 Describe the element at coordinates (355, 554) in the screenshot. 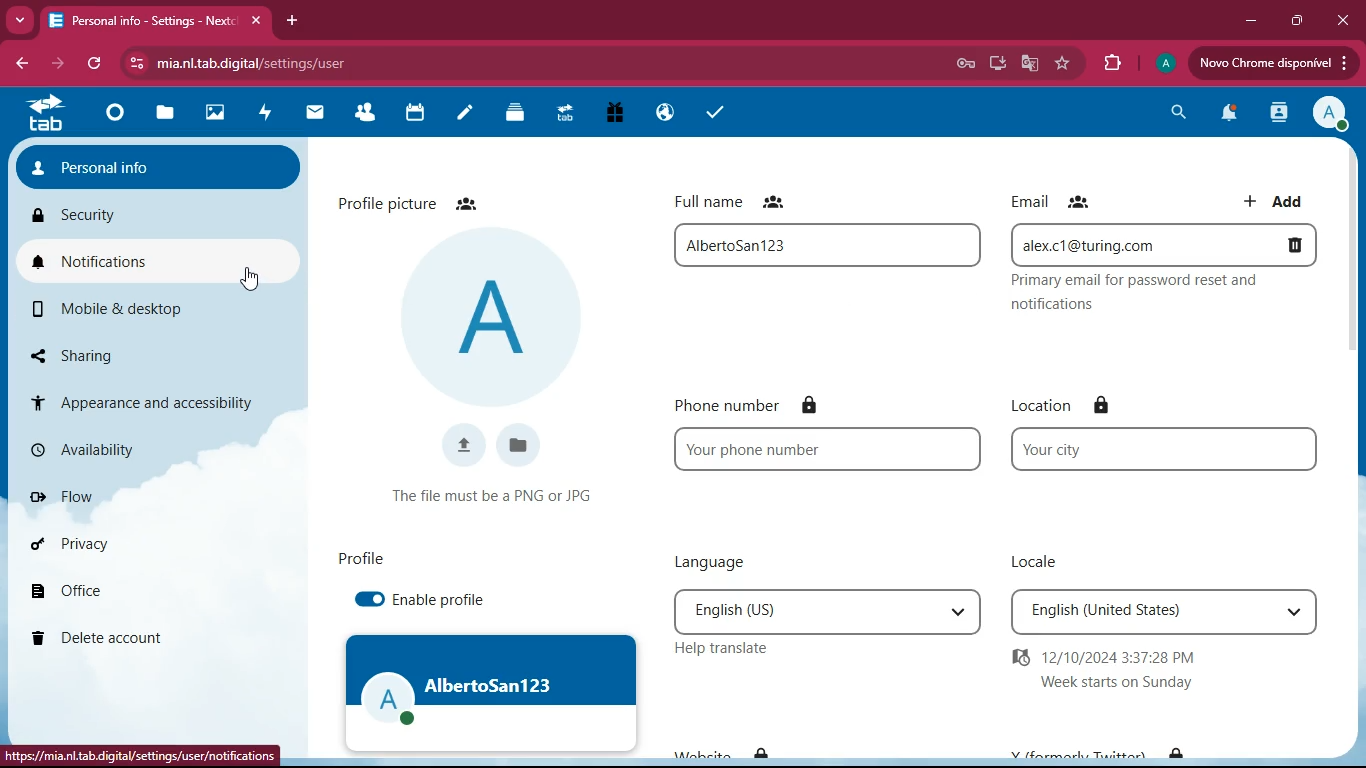

I see `profile` at that location.